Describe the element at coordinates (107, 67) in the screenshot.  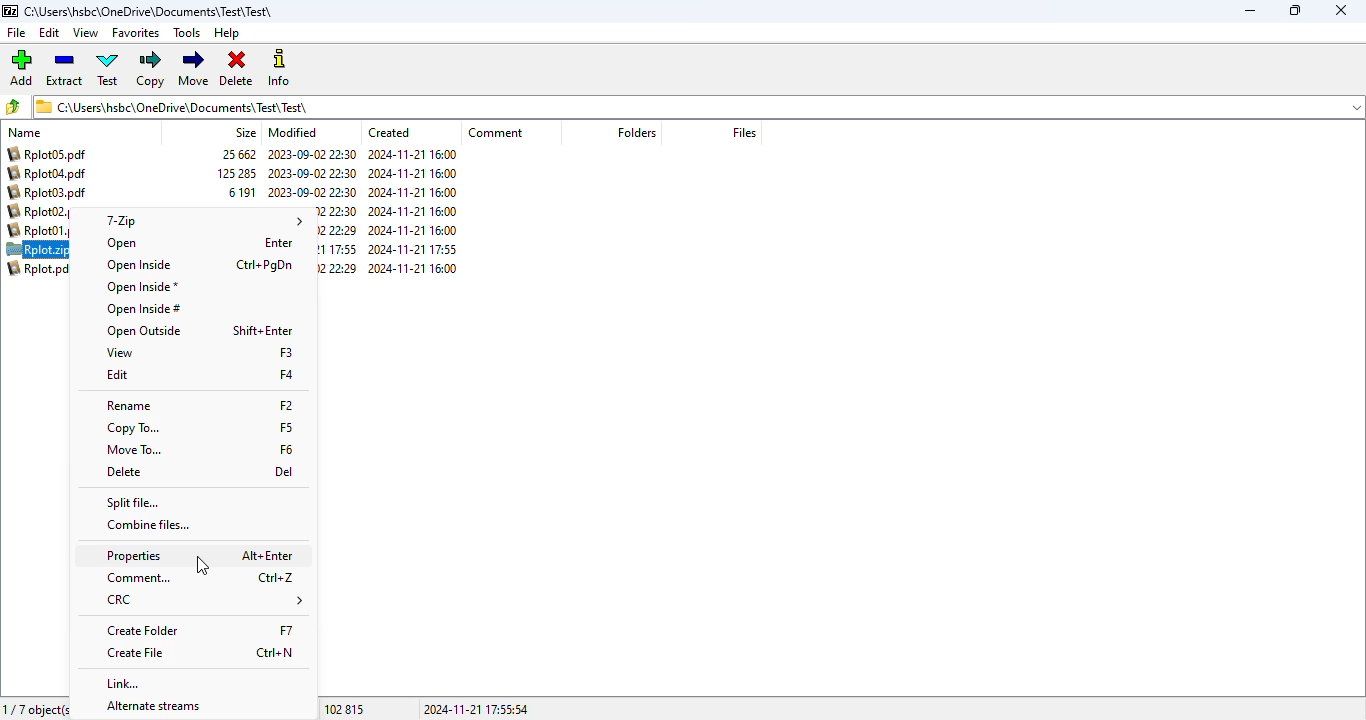
I see `test` at that location.